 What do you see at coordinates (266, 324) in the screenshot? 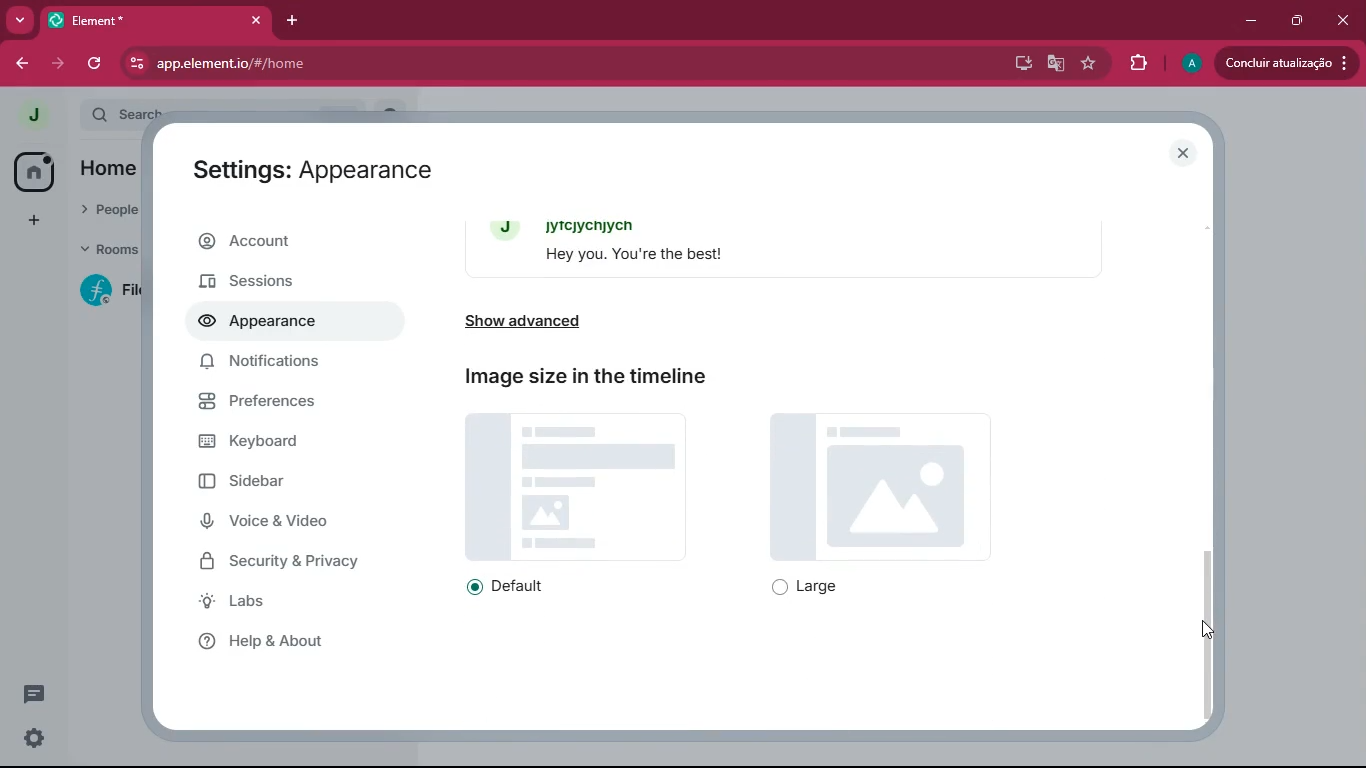
I see `appearance` at bounding box center [266, 324].